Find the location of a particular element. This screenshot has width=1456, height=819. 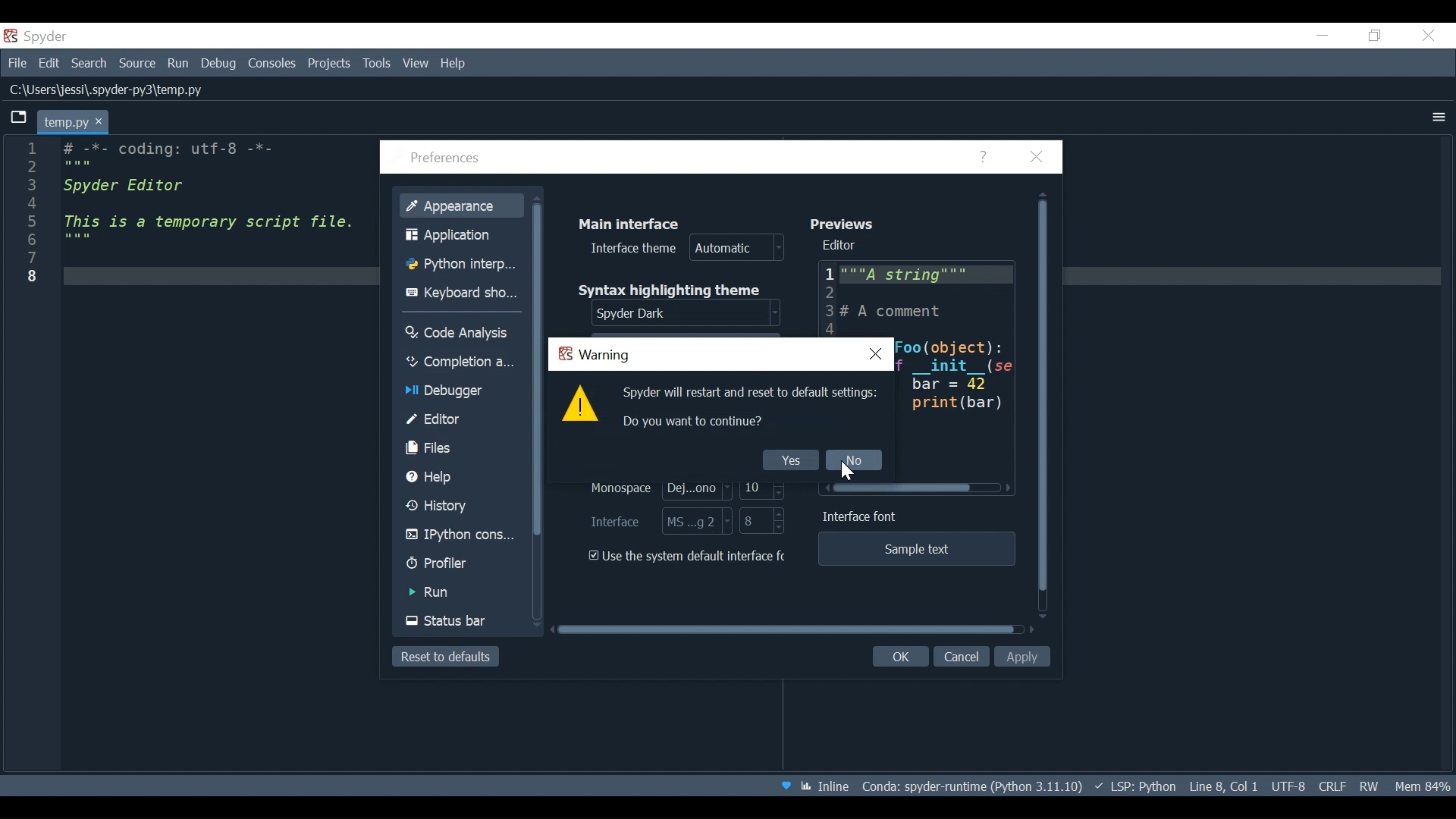

Run is located at coordinates (462, 592).